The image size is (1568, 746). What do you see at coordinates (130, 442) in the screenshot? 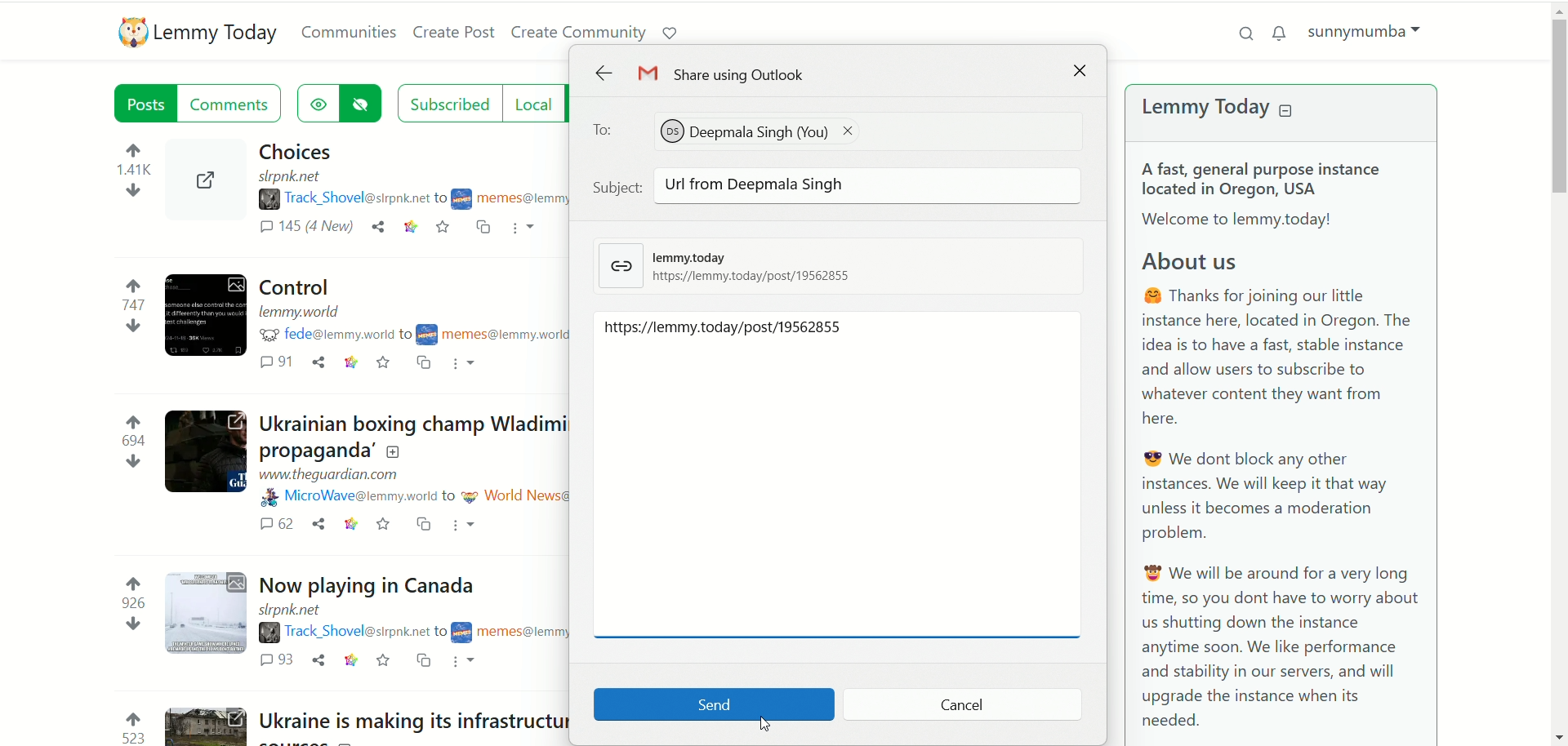
I see `votes up and down` at bounding box center [130, 442].